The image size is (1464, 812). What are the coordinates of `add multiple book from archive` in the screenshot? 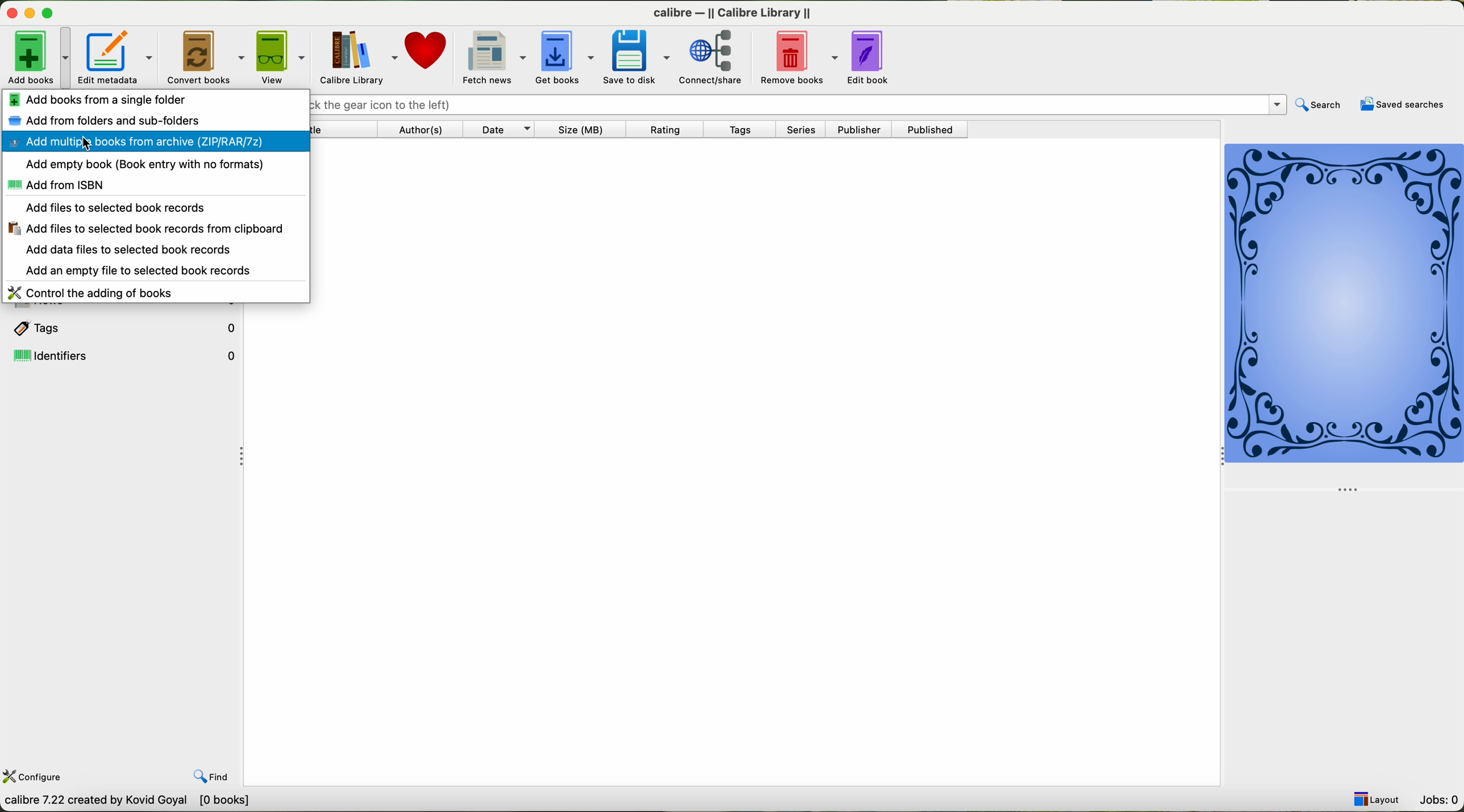 It's located at (153, 143).